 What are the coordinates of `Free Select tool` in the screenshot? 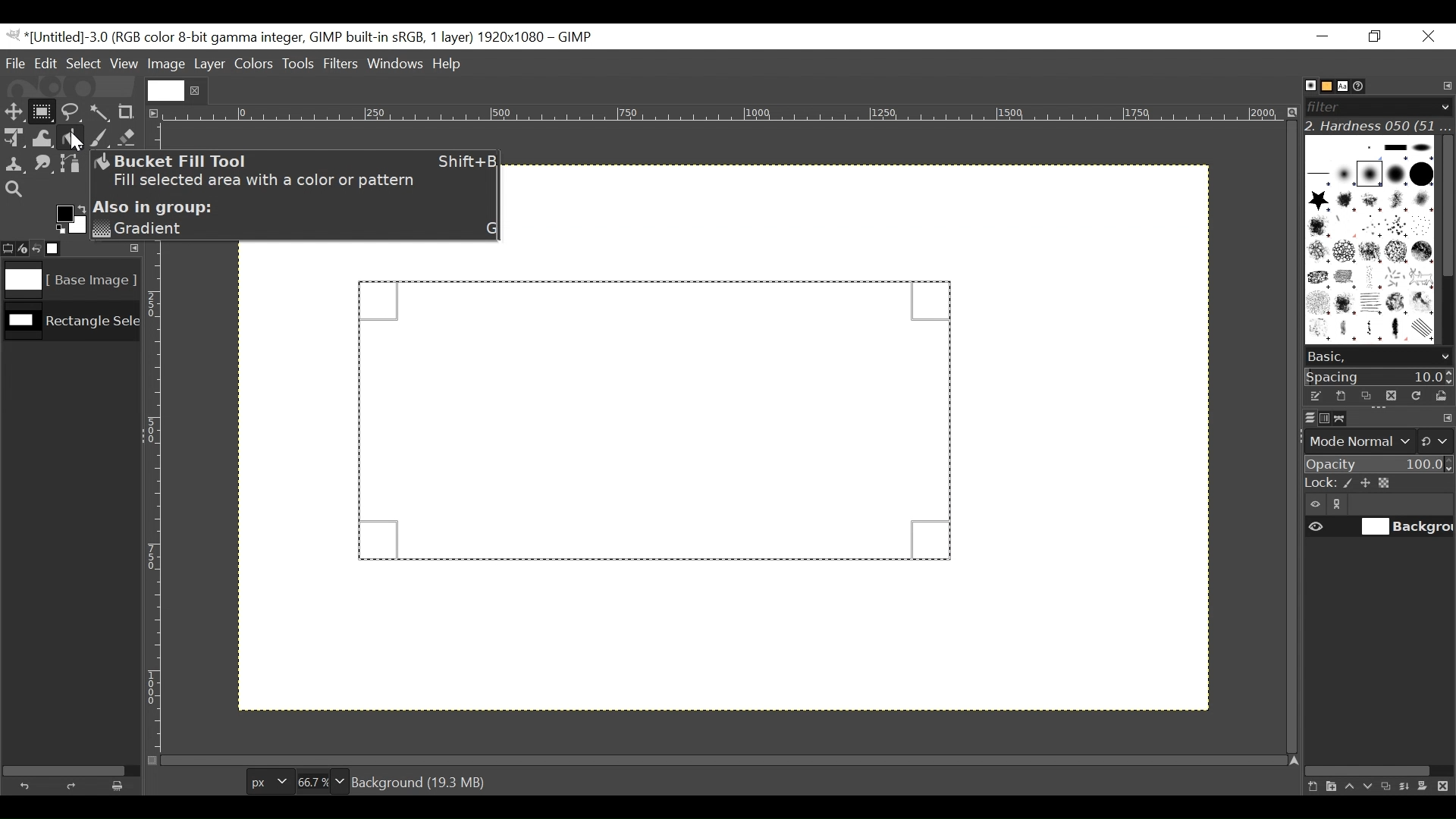 It's located at (70, 109).